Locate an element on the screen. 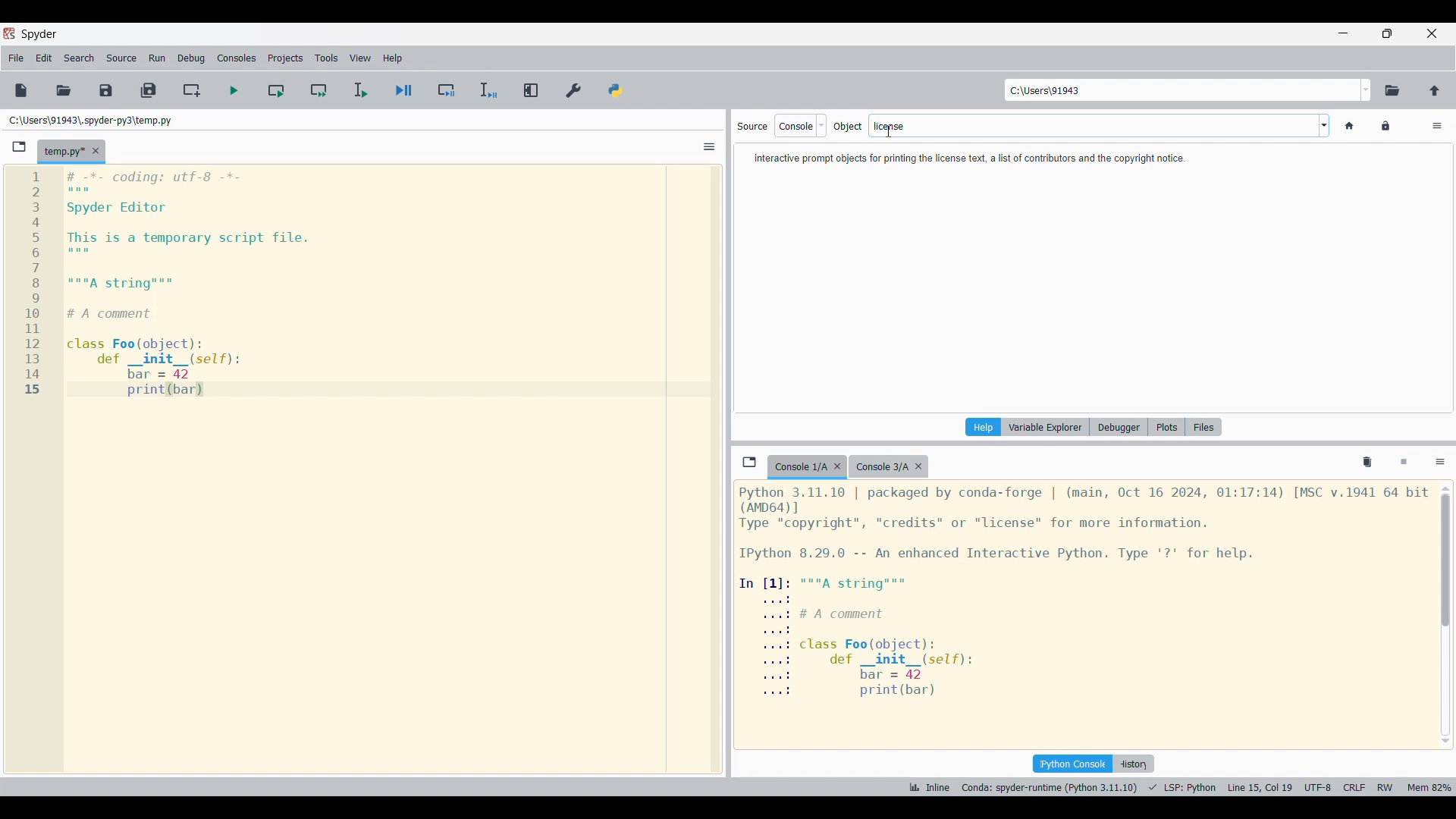  scrollbar is located at coordinates (1448, 617).